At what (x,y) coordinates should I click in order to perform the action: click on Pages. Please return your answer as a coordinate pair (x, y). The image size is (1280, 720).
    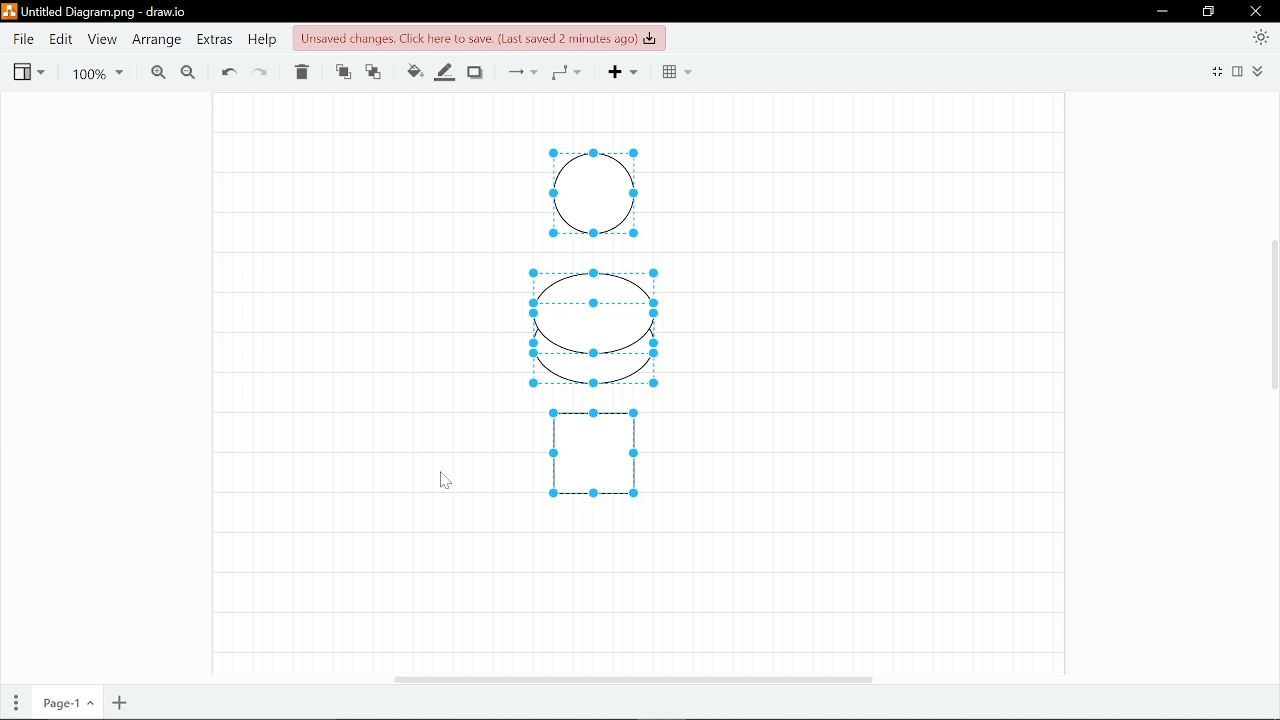
    Looking at the image, I should click on (16, 701).